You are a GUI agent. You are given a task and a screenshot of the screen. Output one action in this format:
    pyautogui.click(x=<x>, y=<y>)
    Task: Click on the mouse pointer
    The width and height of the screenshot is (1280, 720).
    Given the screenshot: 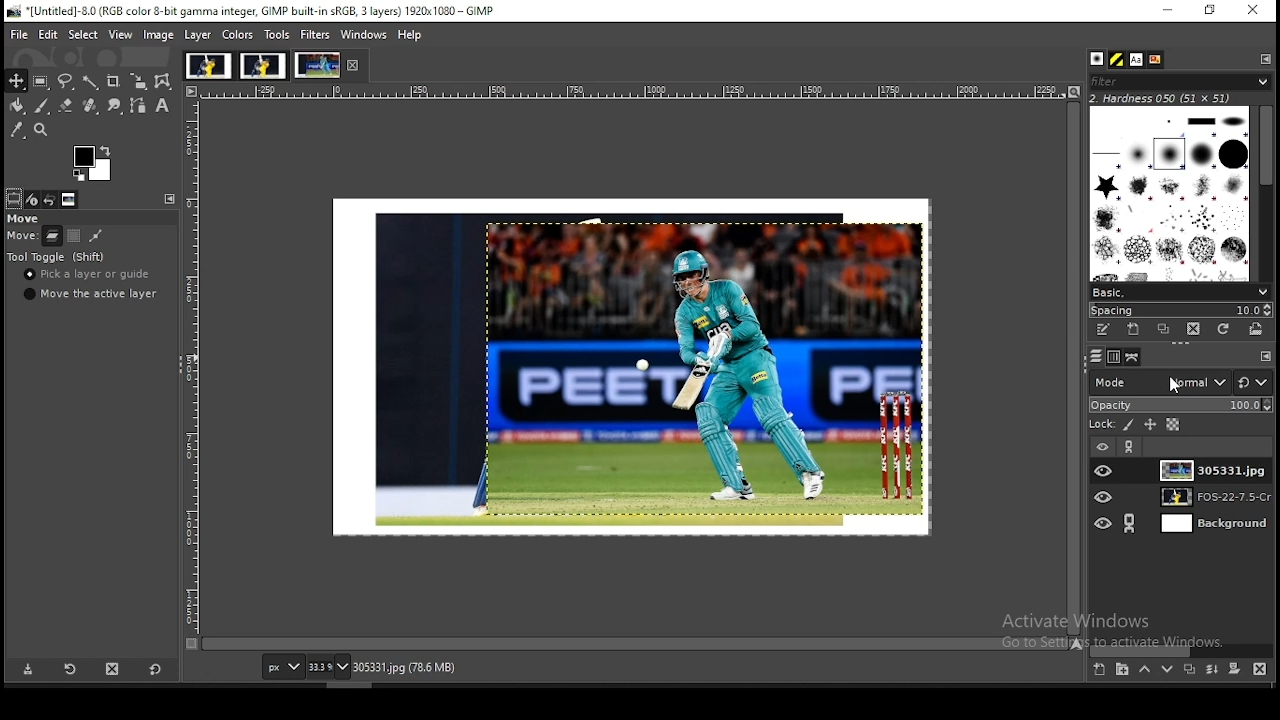 What is the action you would take?
    pyautogui.click(x=1174, y=385)
    